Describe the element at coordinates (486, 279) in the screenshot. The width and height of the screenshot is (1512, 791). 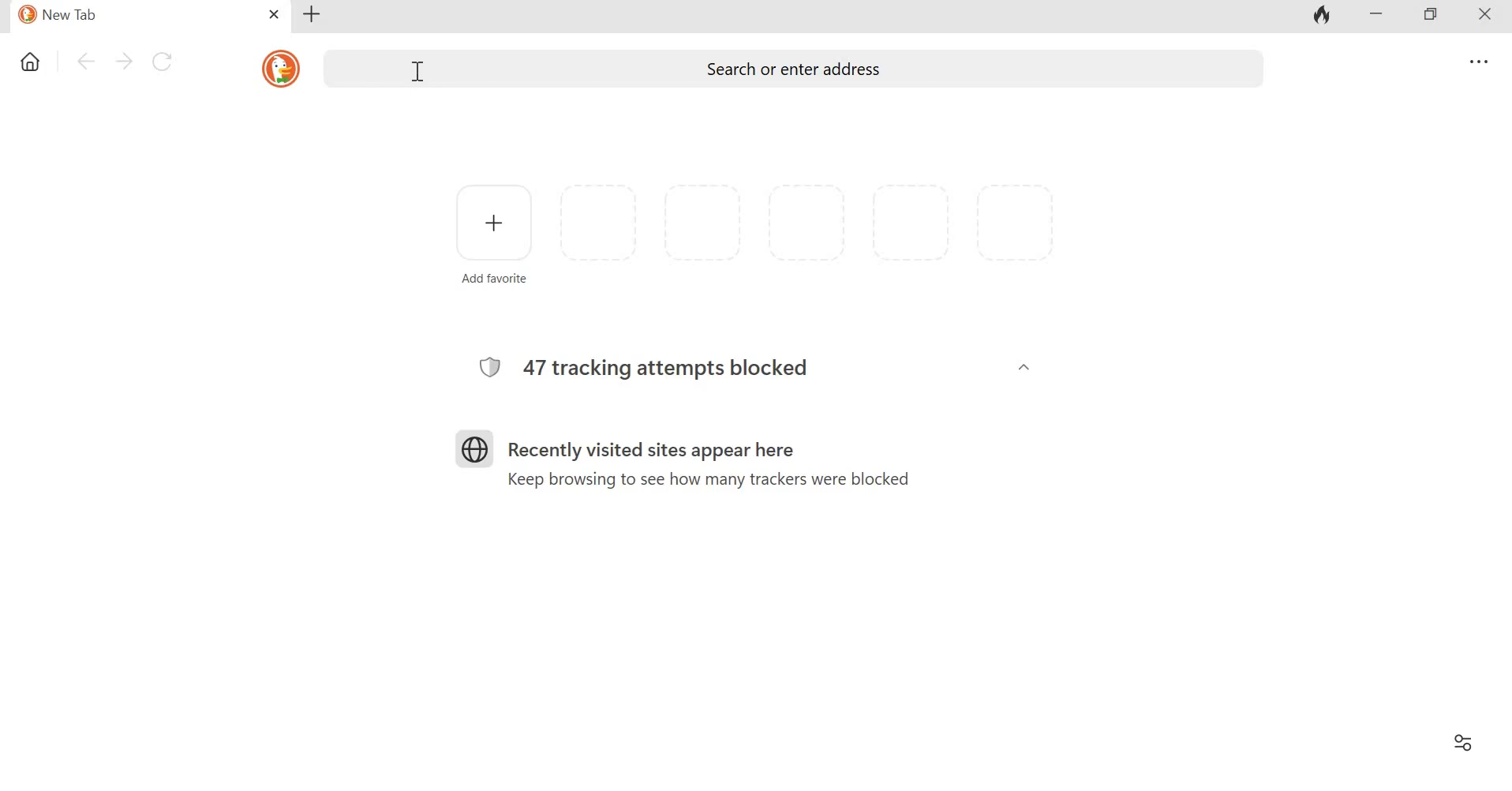
I see `add favorite` at that location.